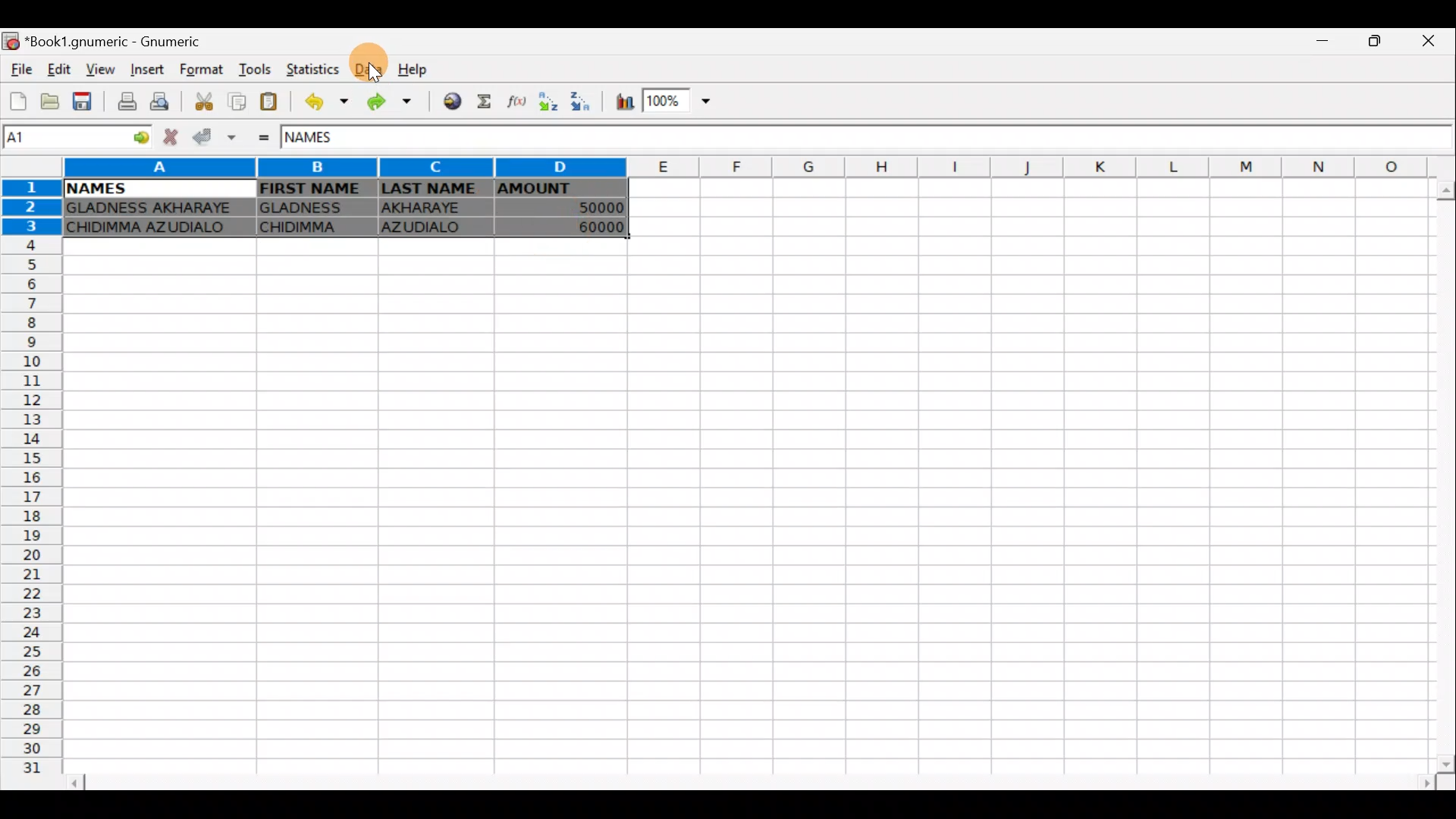 The width and height of the screenshot is (1456, 819). What do you see at coordinates (328, 102) in the screenshot?
I see `Undo last action` at bounding box center [328, 102].